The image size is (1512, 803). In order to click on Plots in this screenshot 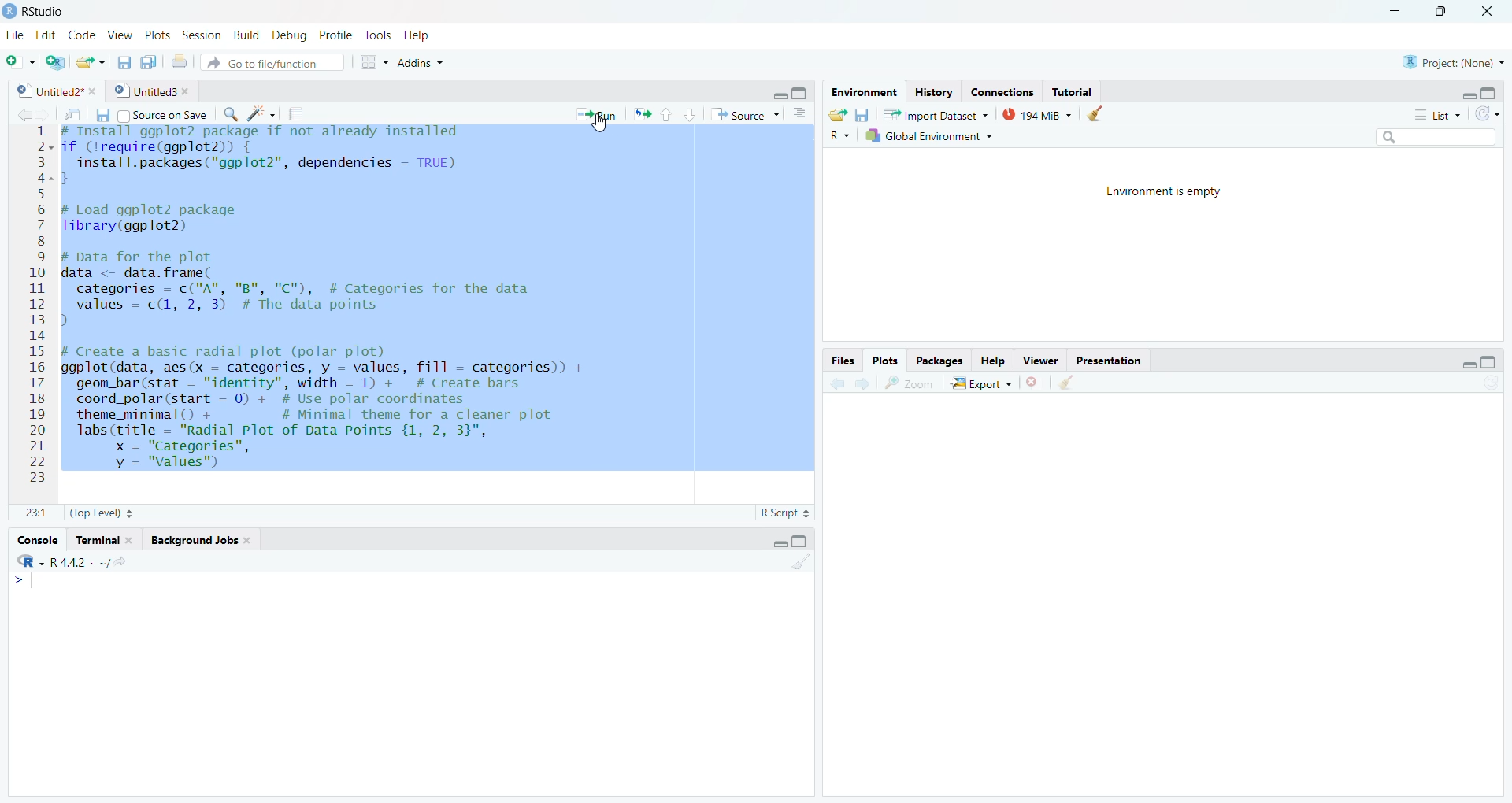, I will do `click(888, 361)`.